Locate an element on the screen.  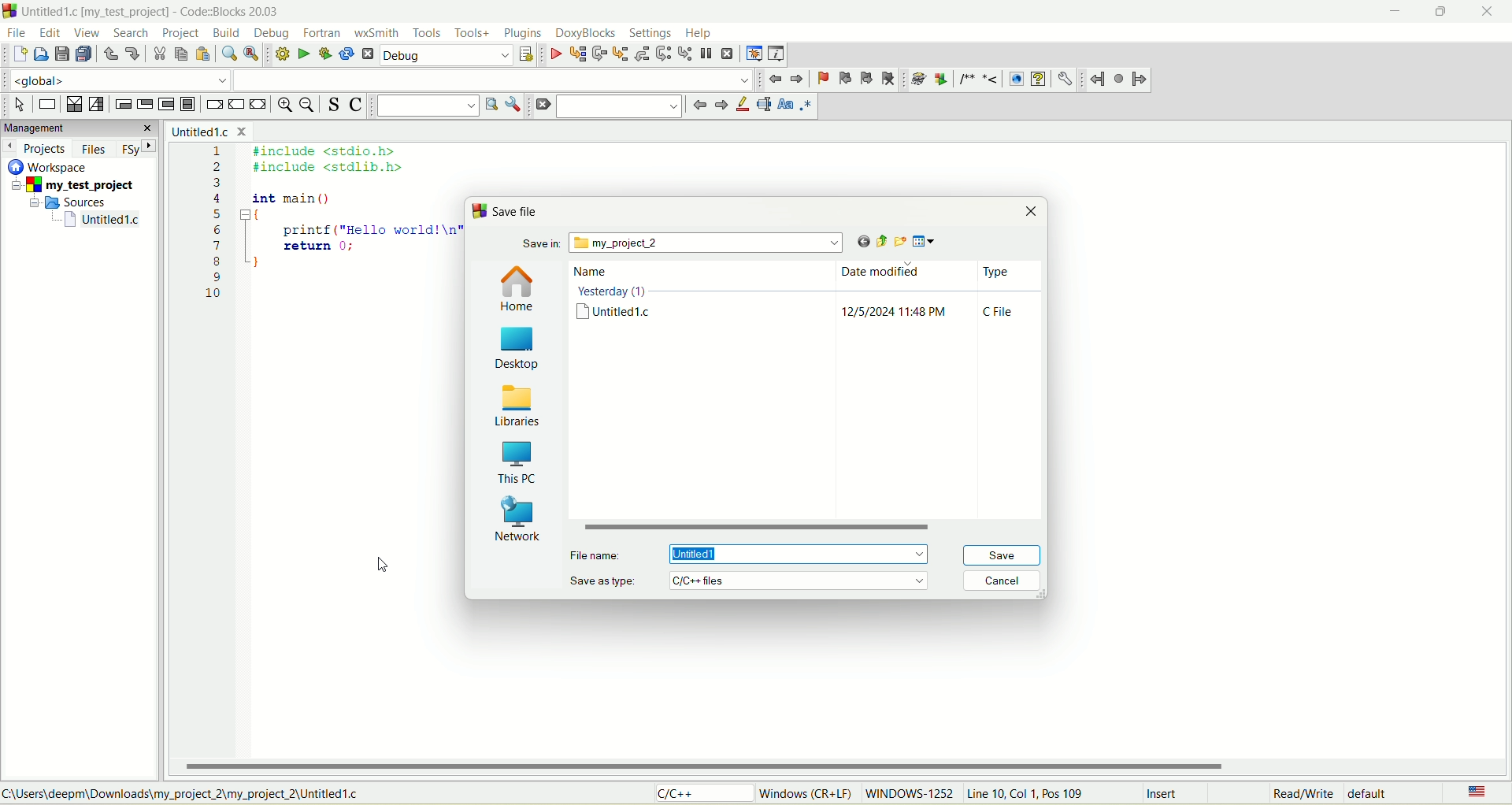
build and run is located at coordinates (326, 54).